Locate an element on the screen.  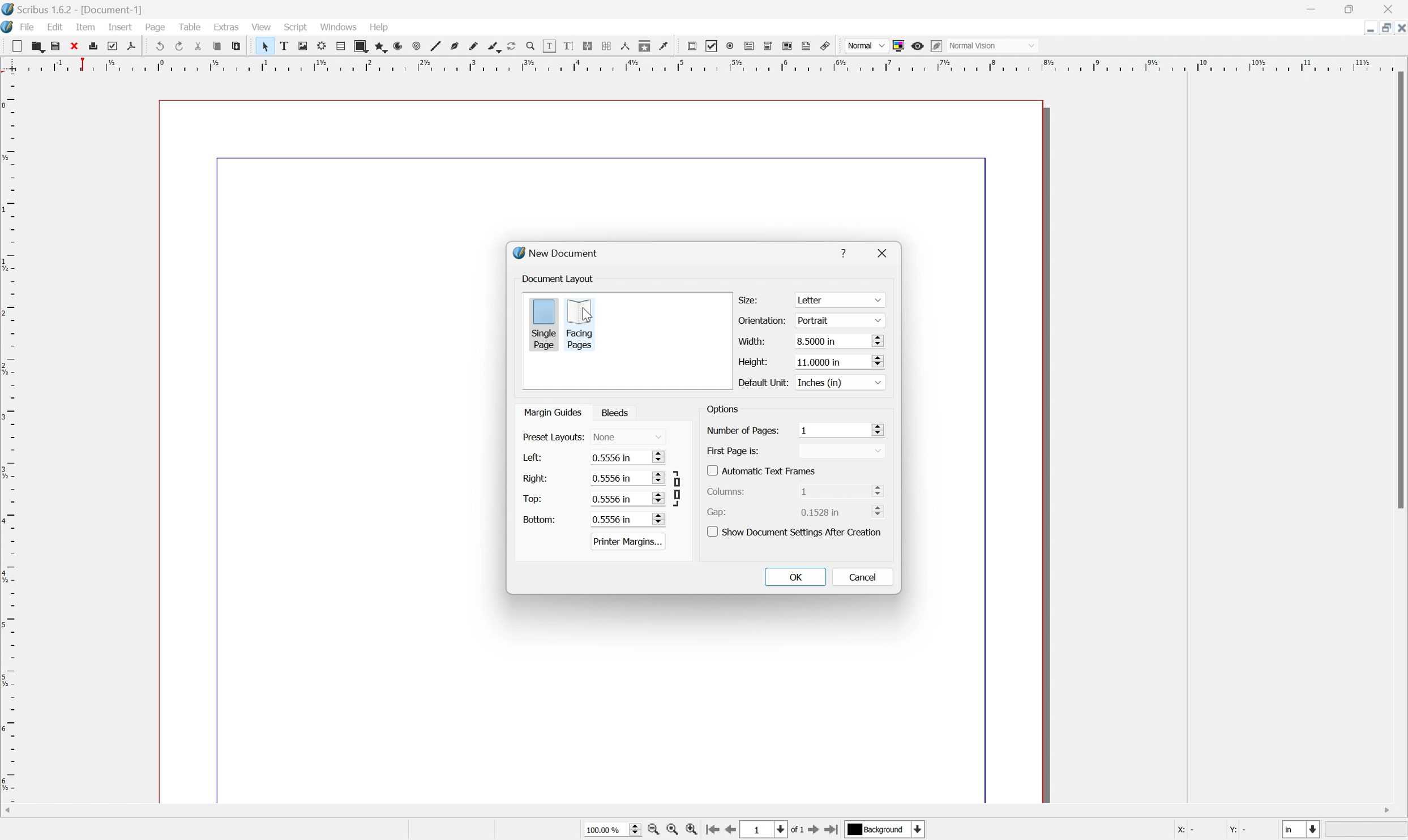
Table is located at coordinates (194, 29).